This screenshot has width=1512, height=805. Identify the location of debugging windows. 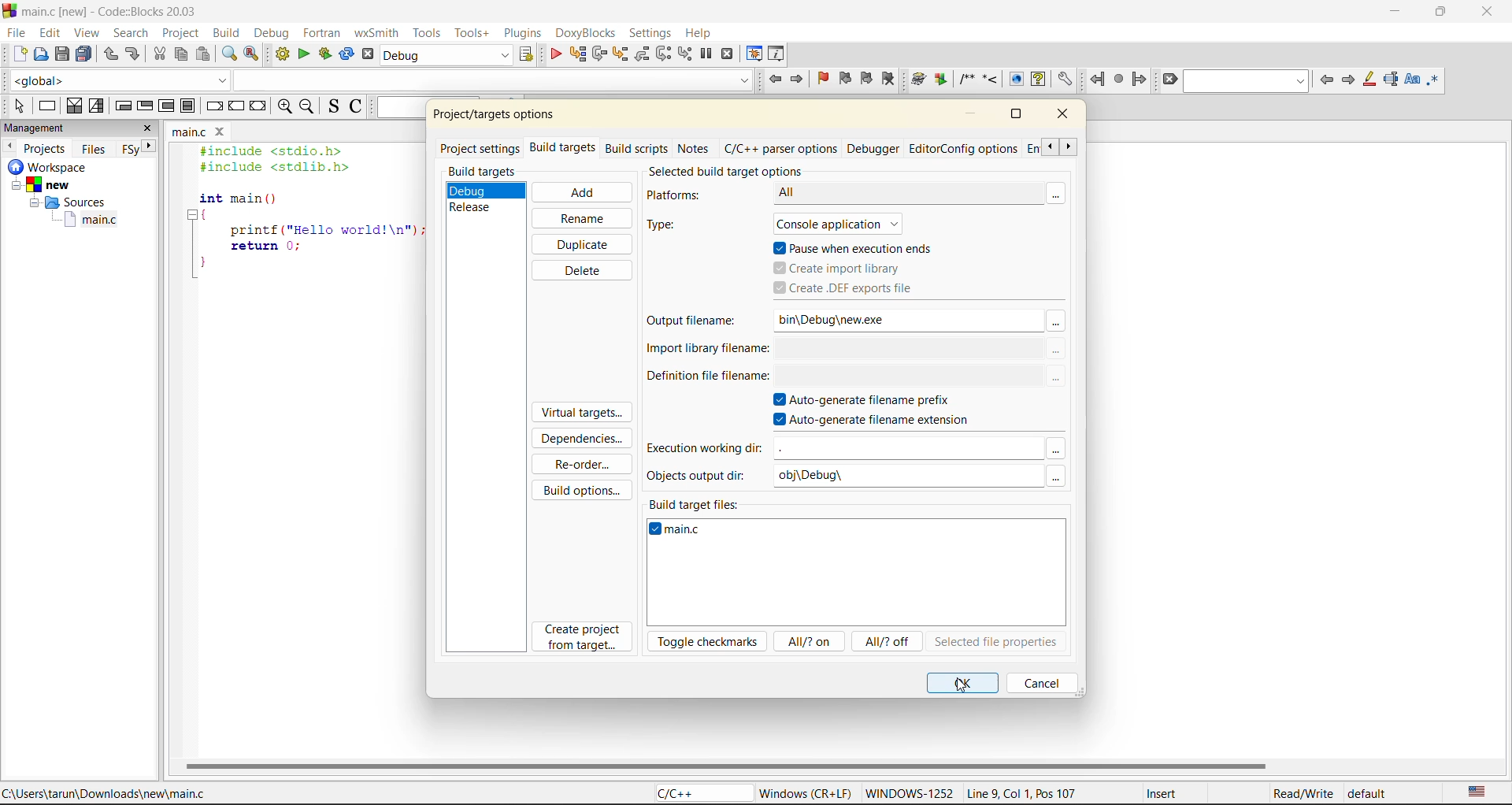
(754, 54).